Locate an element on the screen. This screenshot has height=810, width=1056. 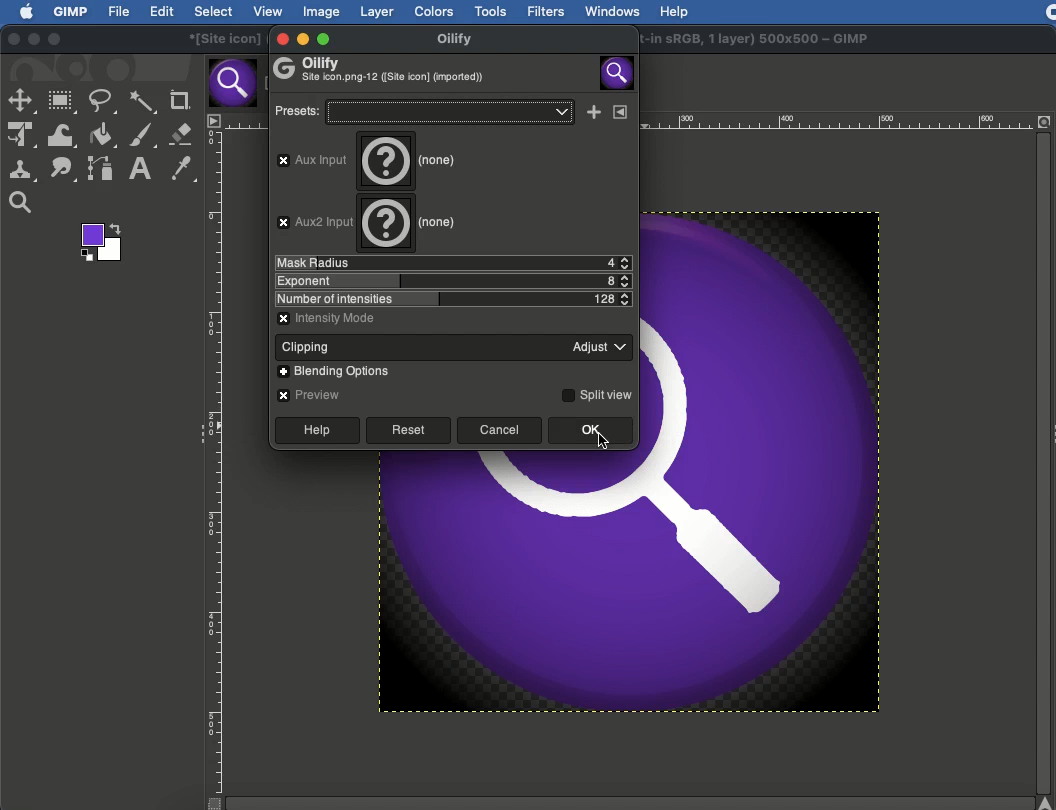
File is located at coordinates (120, 12).